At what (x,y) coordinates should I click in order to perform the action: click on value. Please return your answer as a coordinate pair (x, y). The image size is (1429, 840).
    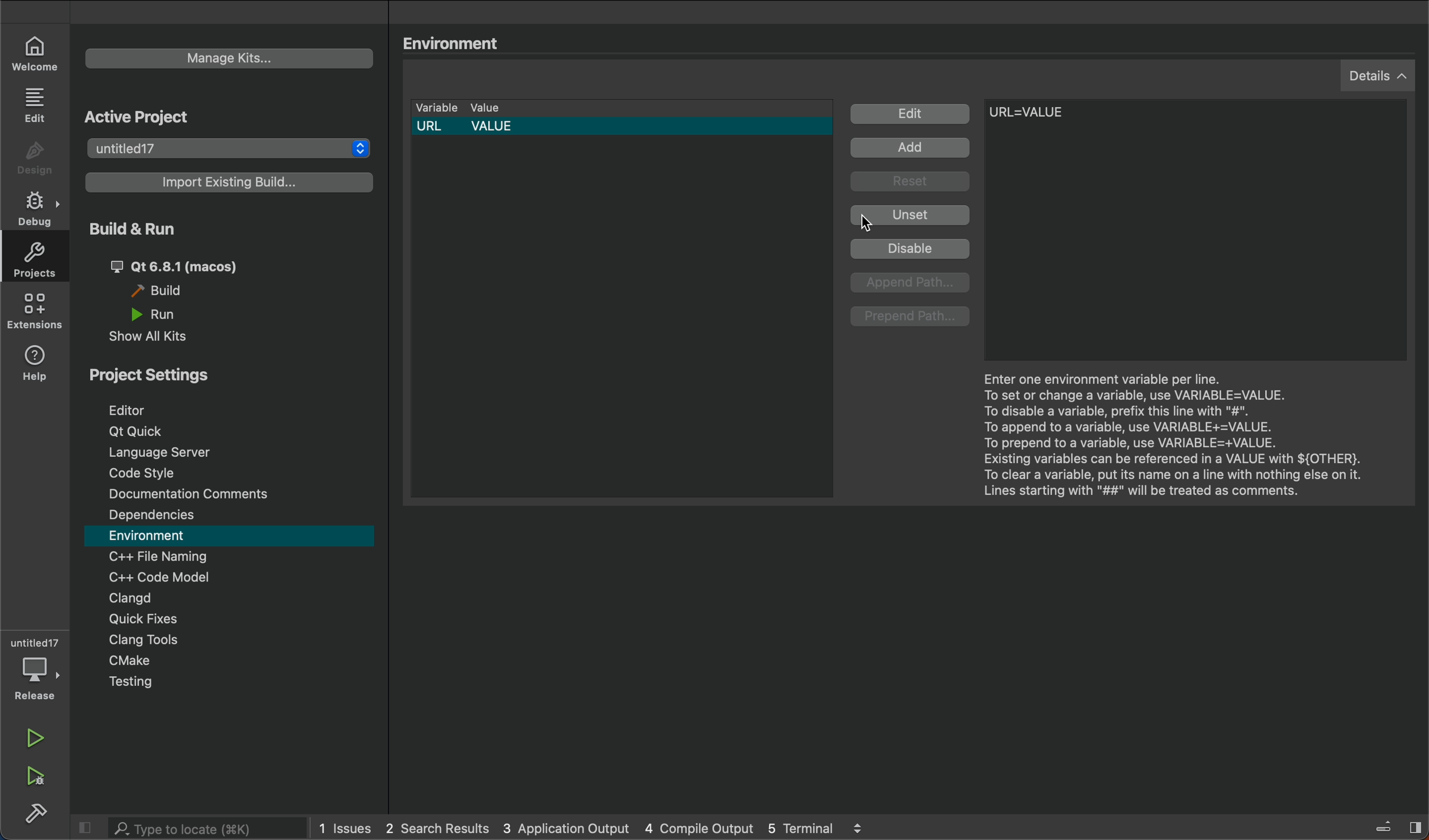
    Looking at the image, I should click on (496, 110).